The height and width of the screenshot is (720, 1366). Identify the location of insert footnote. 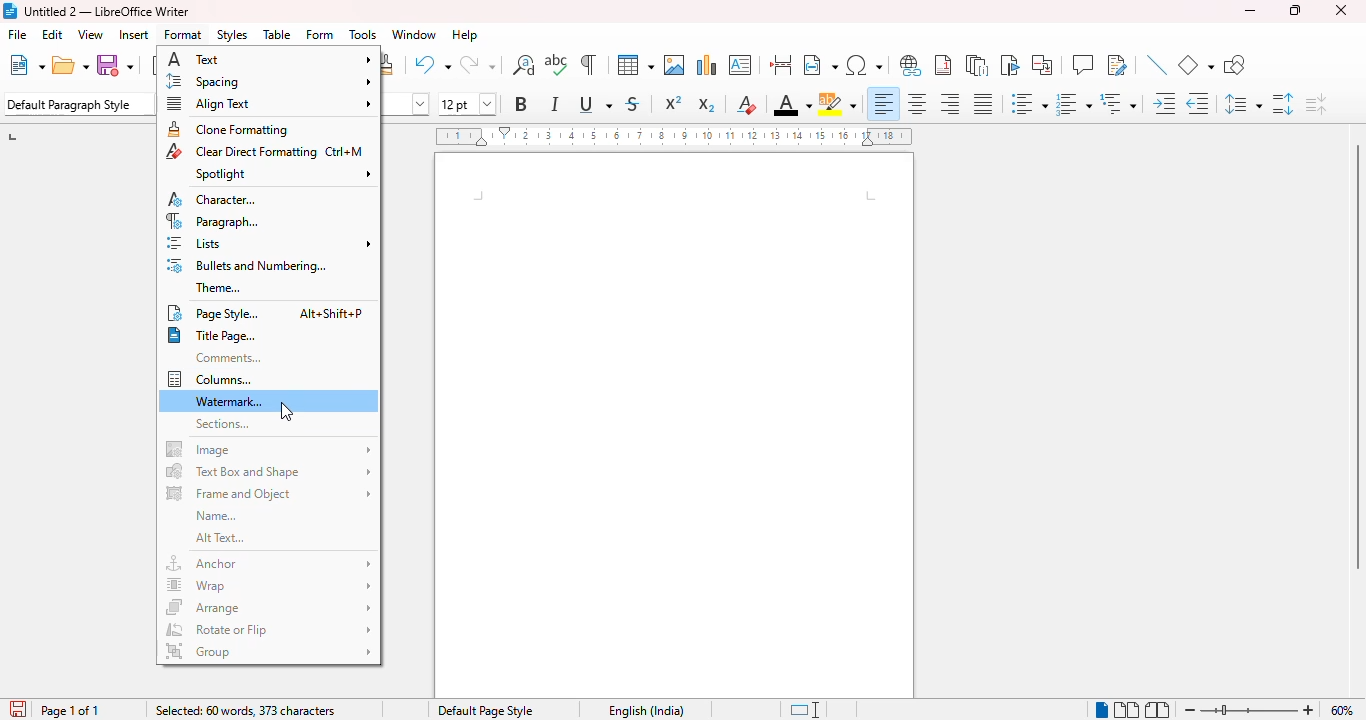
(944, 65).